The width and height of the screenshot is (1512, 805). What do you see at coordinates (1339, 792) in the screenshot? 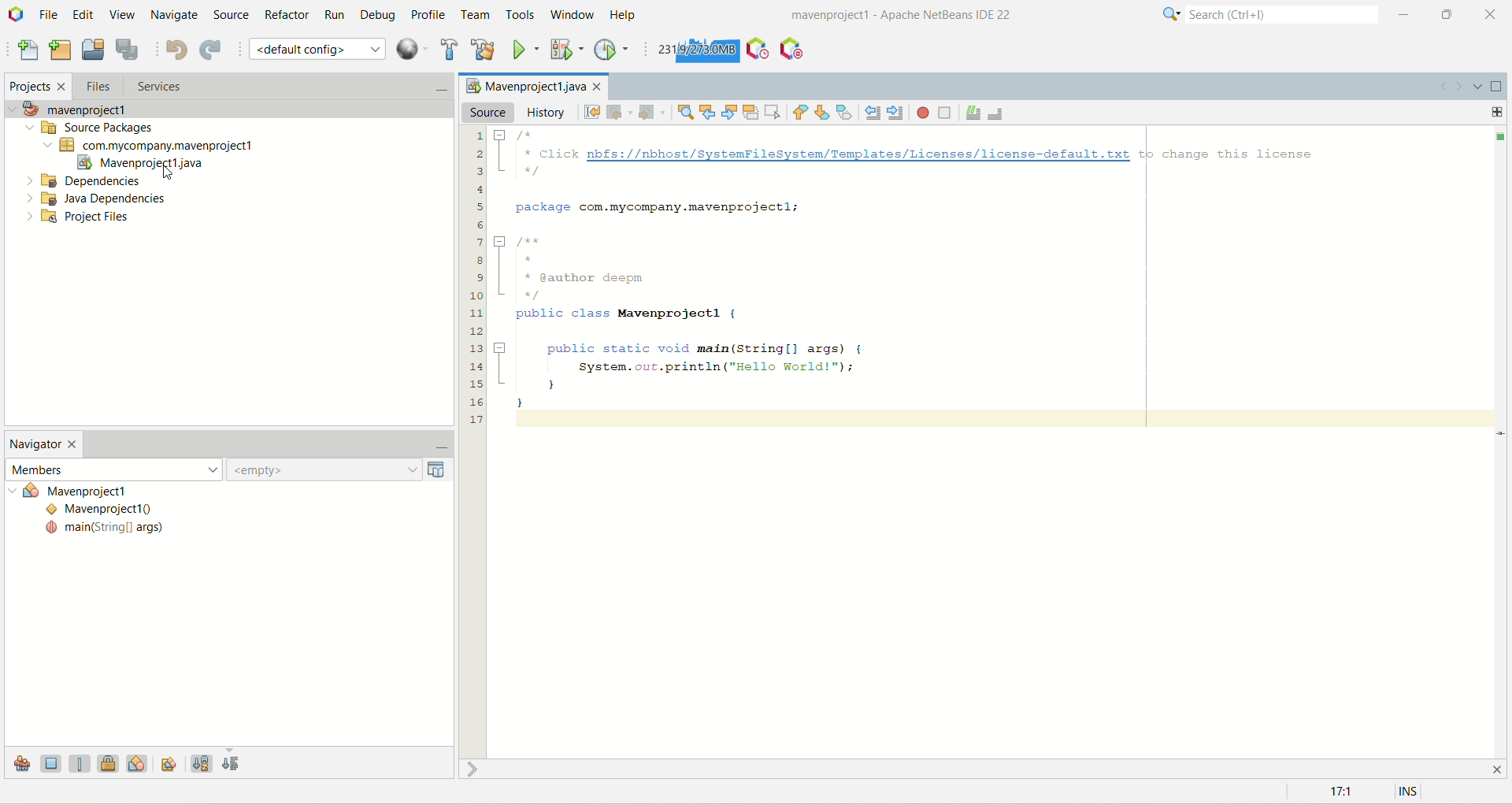
I see `17:1` at bounding box center [1339, 792].